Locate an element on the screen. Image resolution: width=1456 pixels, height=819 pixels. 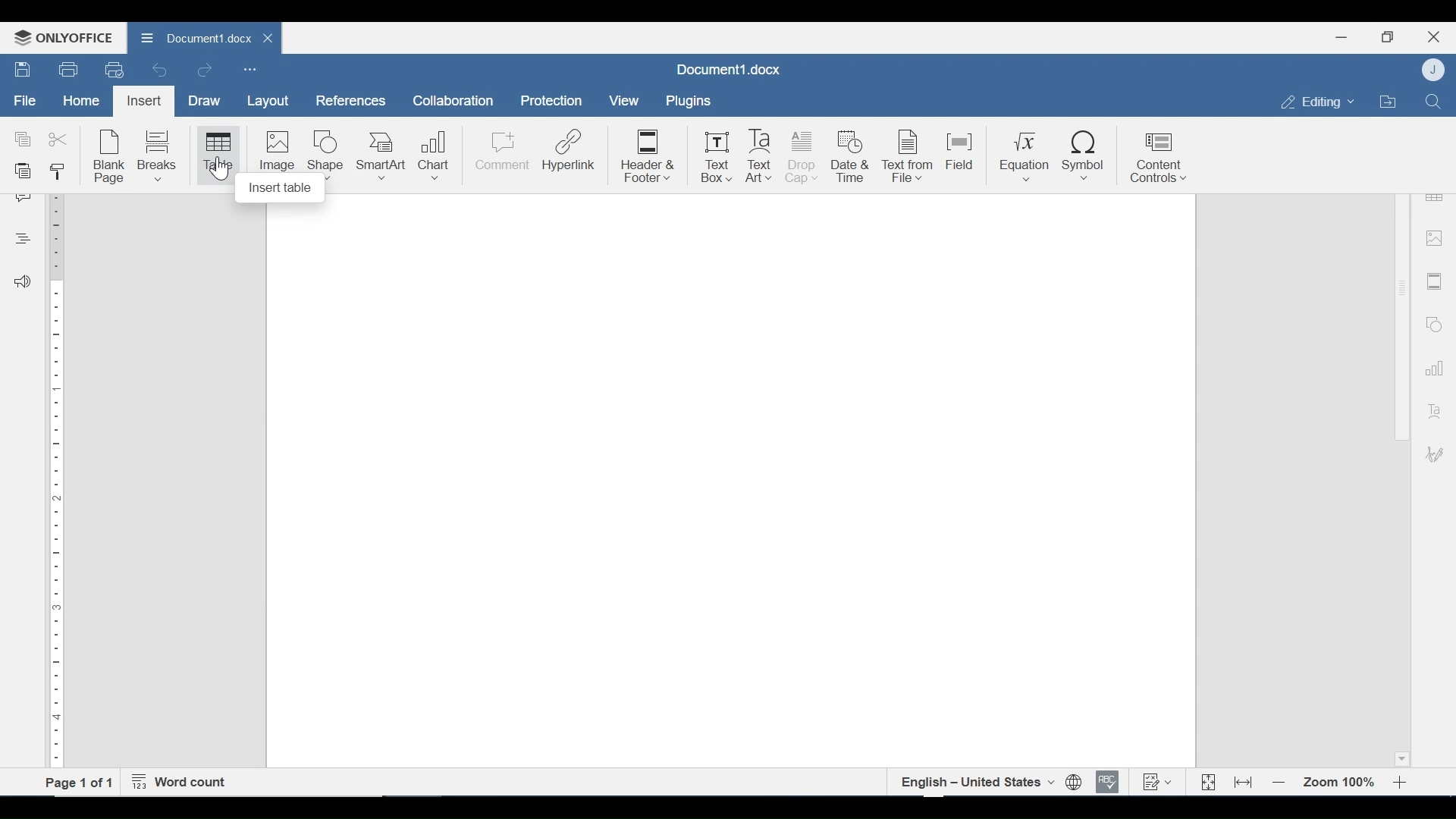
close is located at coordinates (270, 37).